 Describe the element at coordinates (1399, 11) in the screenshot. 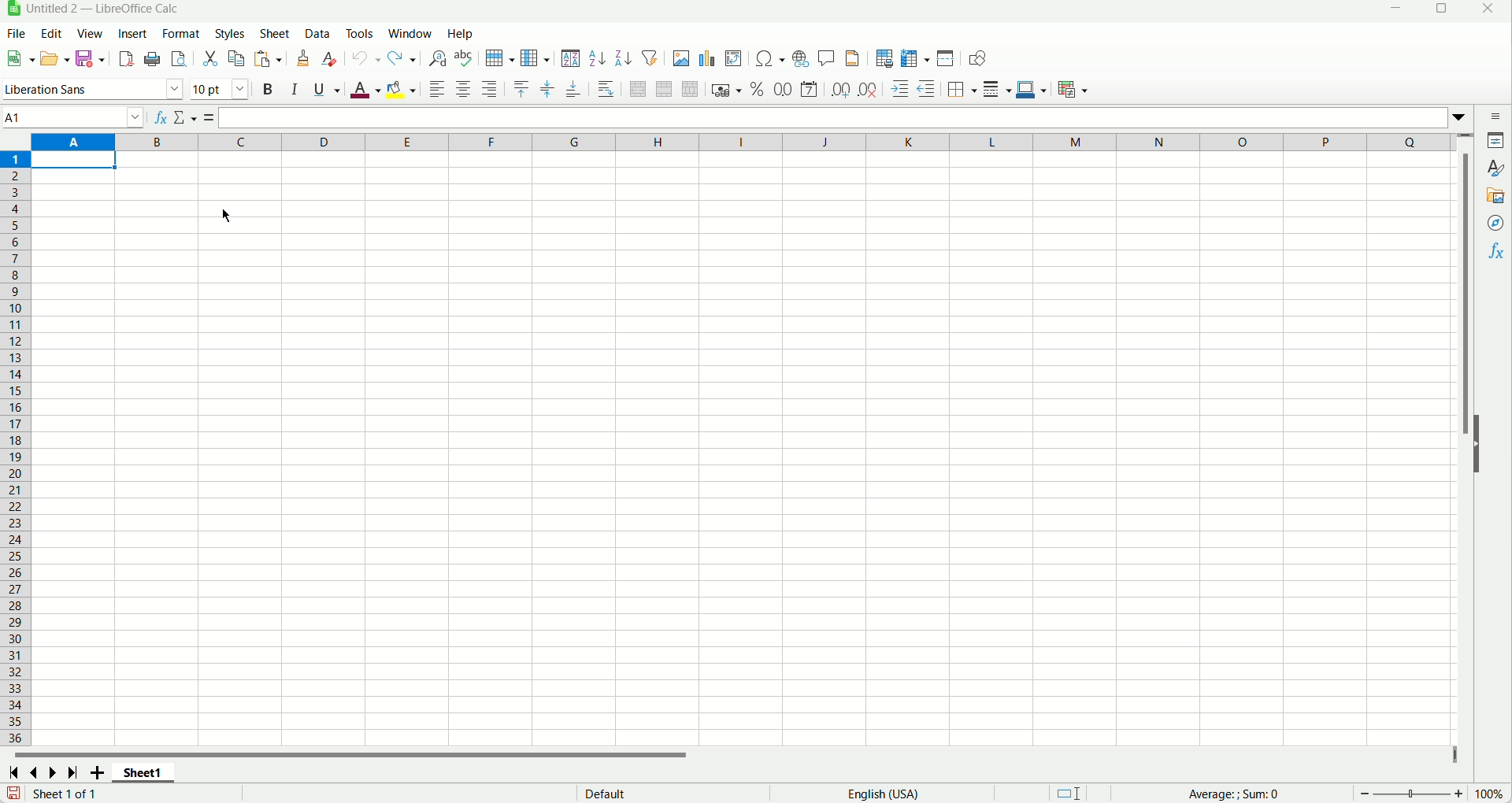

I see `Minimize` at that location.